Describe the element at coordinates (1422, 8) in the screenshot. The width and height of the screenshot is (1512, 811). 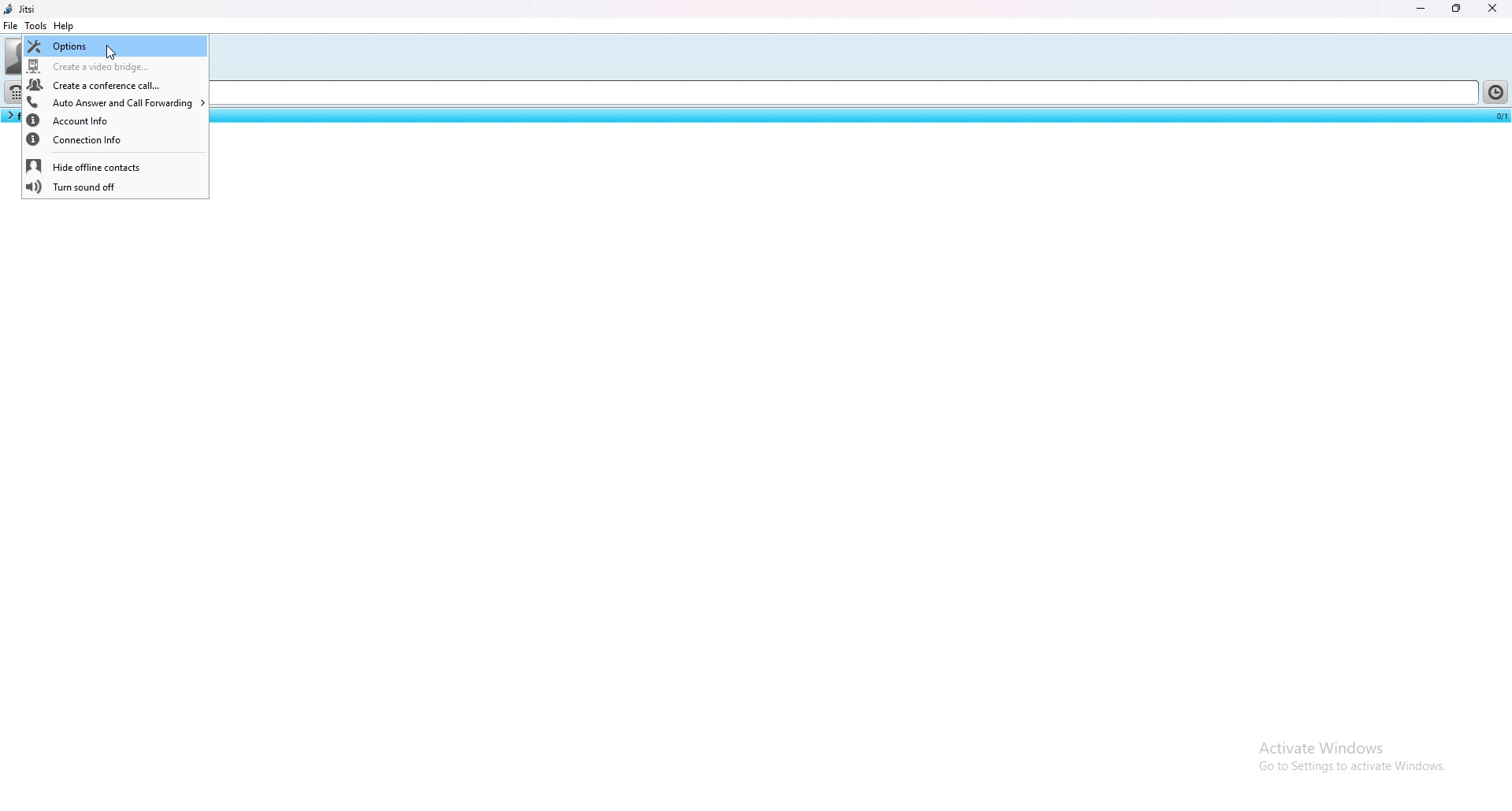
I see `minimize` at that location.